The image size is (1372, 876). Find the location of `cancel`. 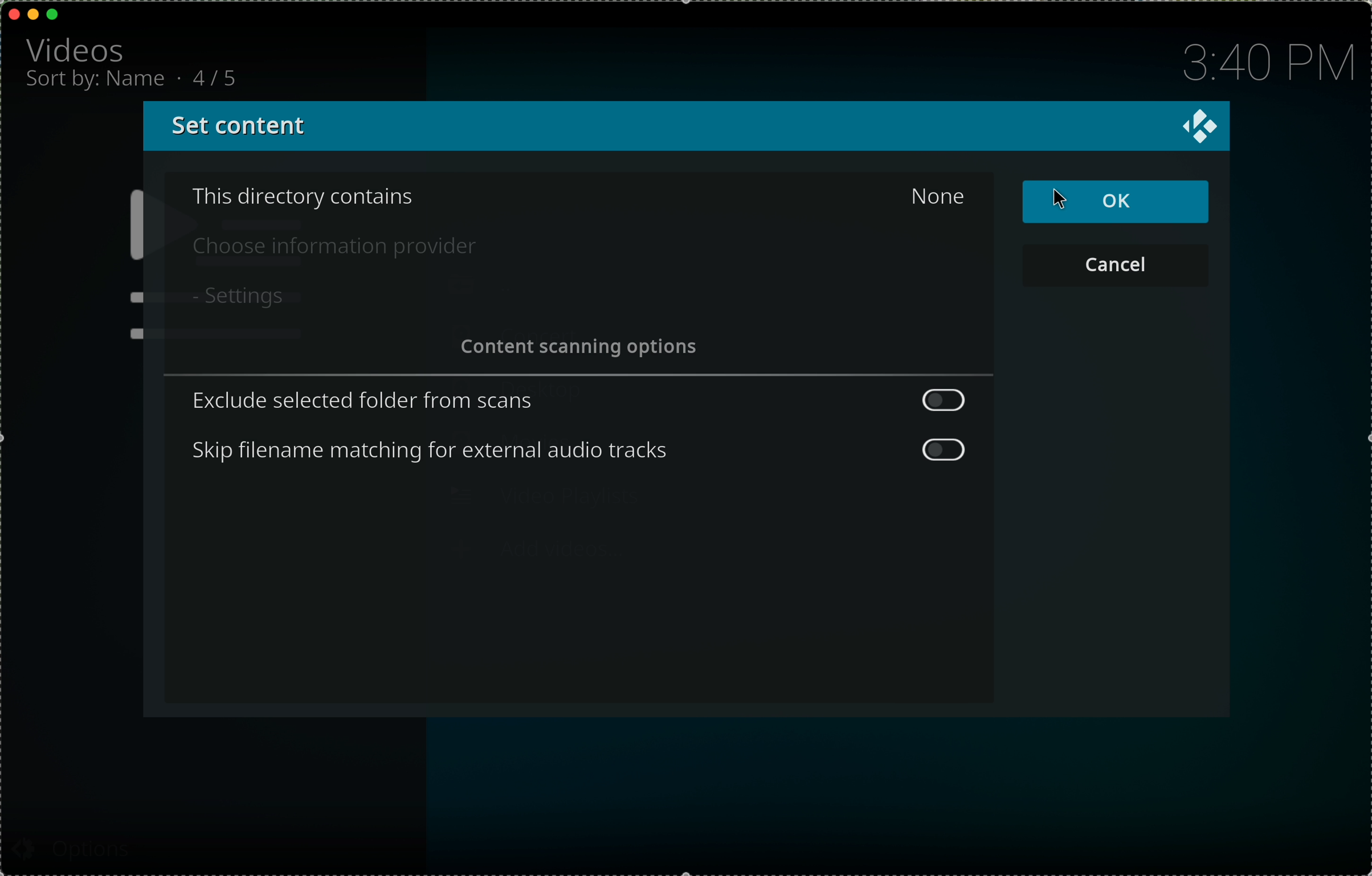

cancel is located at coordinates (1117, 267).